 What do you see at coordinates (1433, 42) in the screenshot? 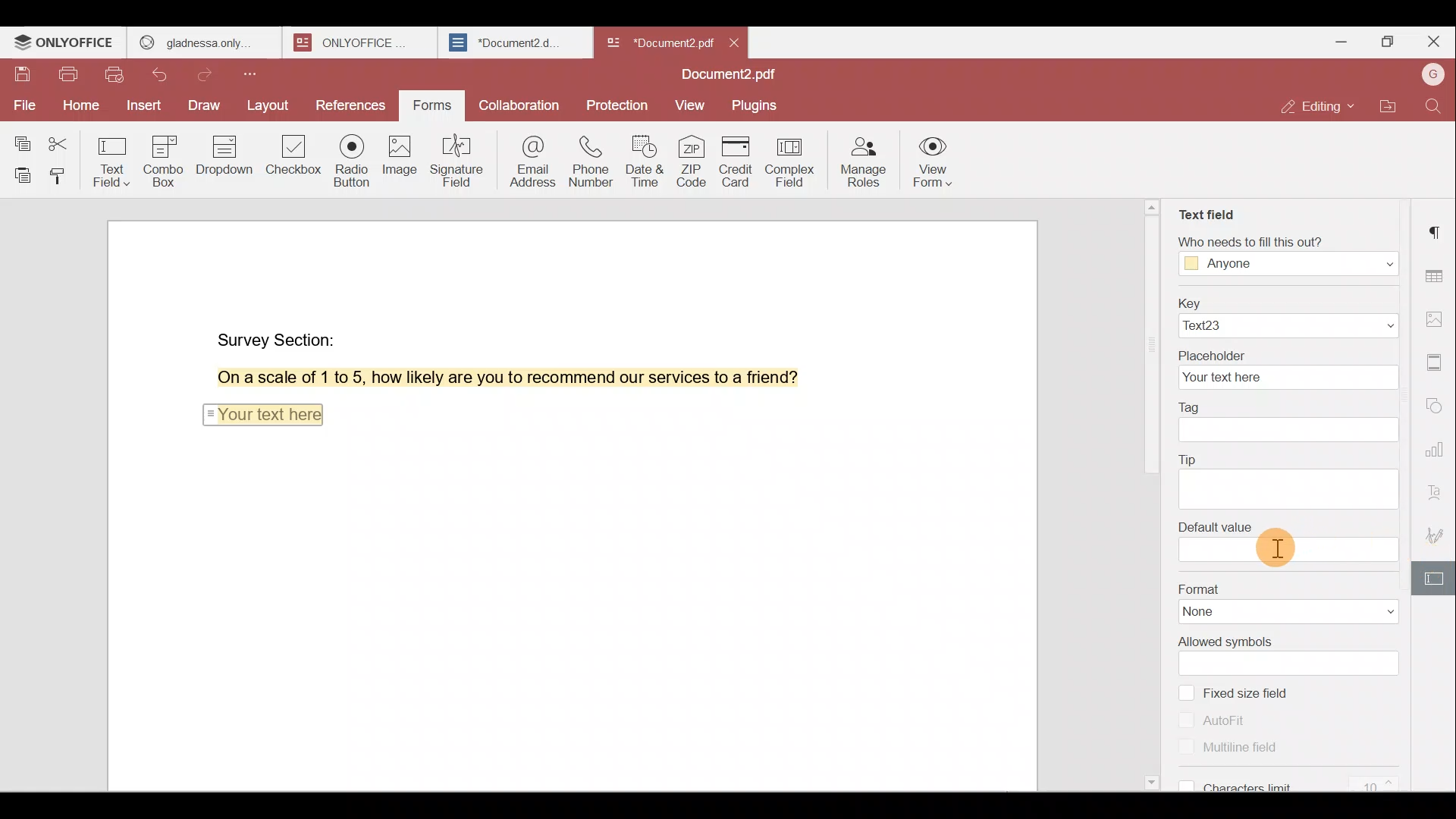
I see `Close` at bounding box center [1433, 42].